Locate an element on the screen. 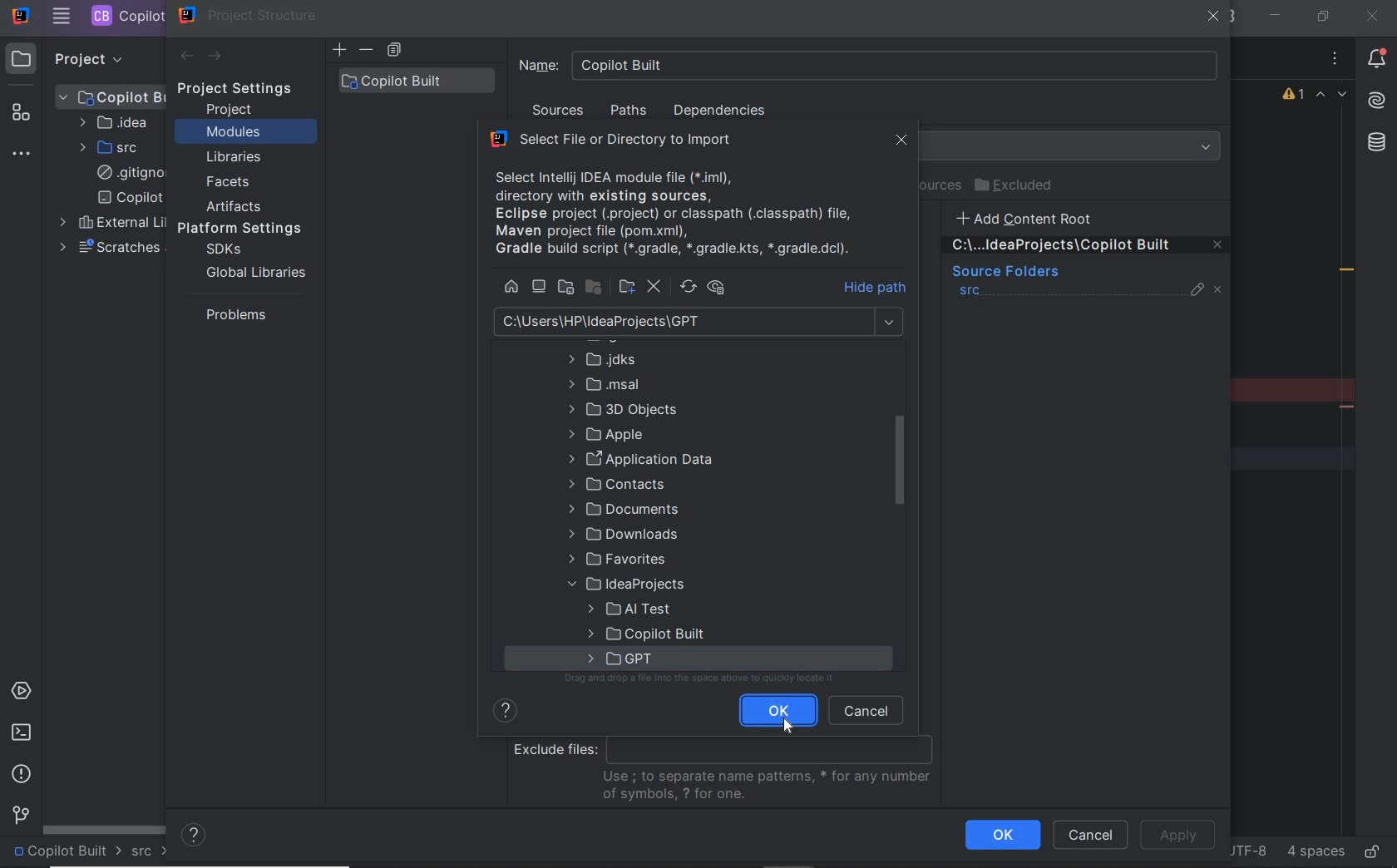 The width and height of the screenshot is (1397, 868). unmark source is located at coordinates (1221, 290).